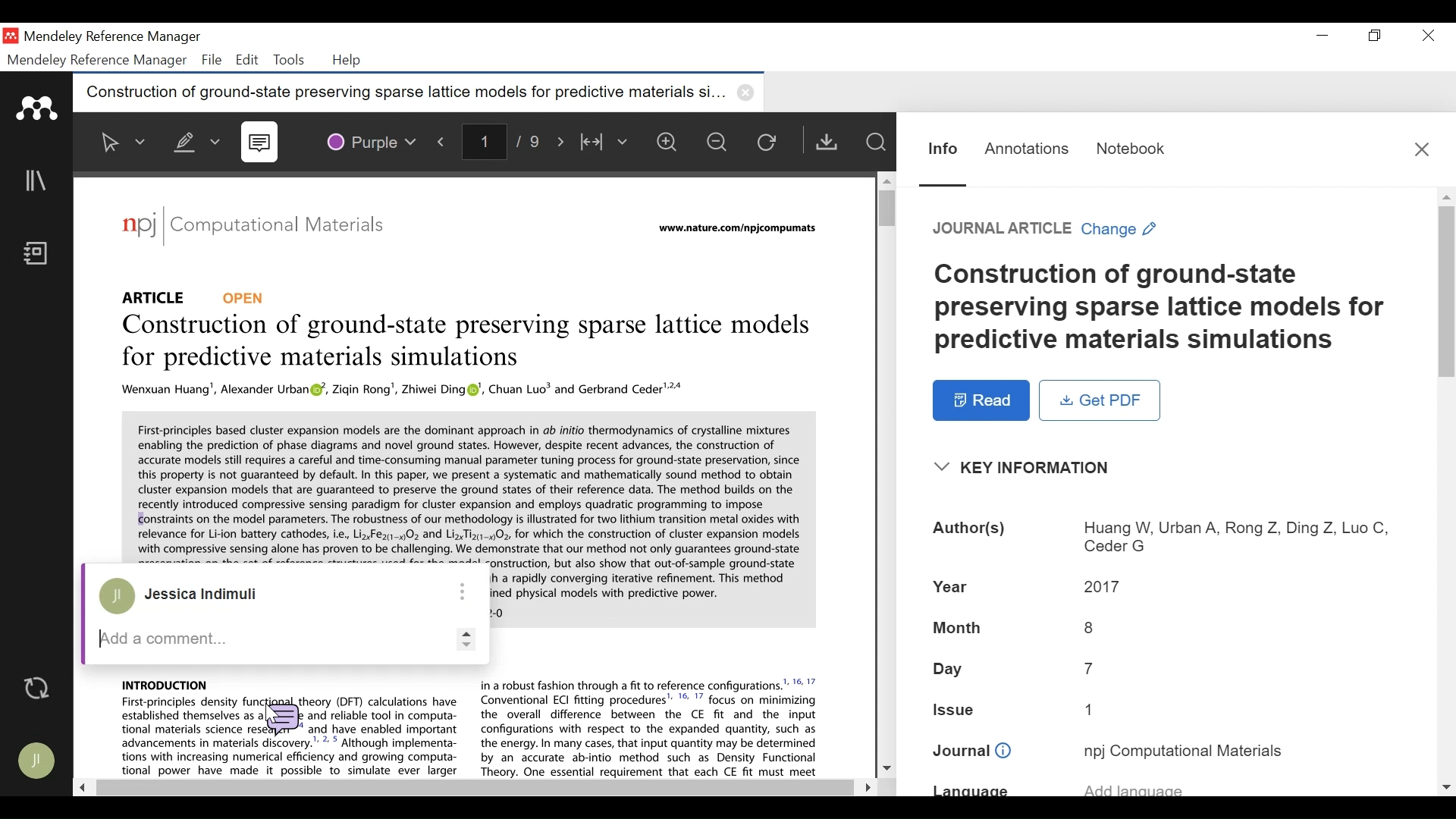 This screenshot has width=1456, height=819. I want to click on Scroll up, so click(1447, 196).